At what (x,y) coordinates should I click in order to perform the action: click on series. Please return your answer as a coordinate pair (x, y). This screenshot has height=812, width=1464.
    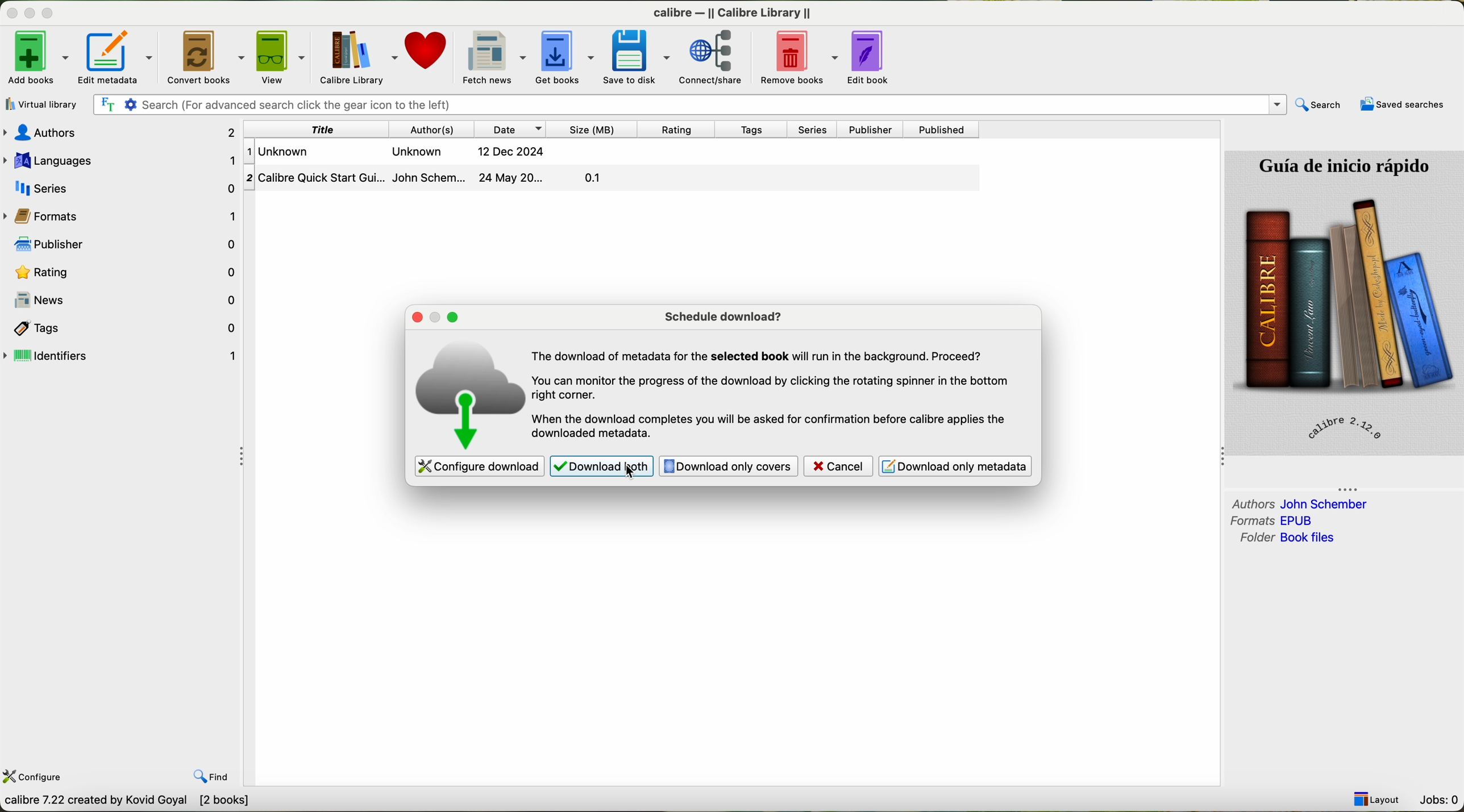
    Looking at the image, I should click on (123, 188).